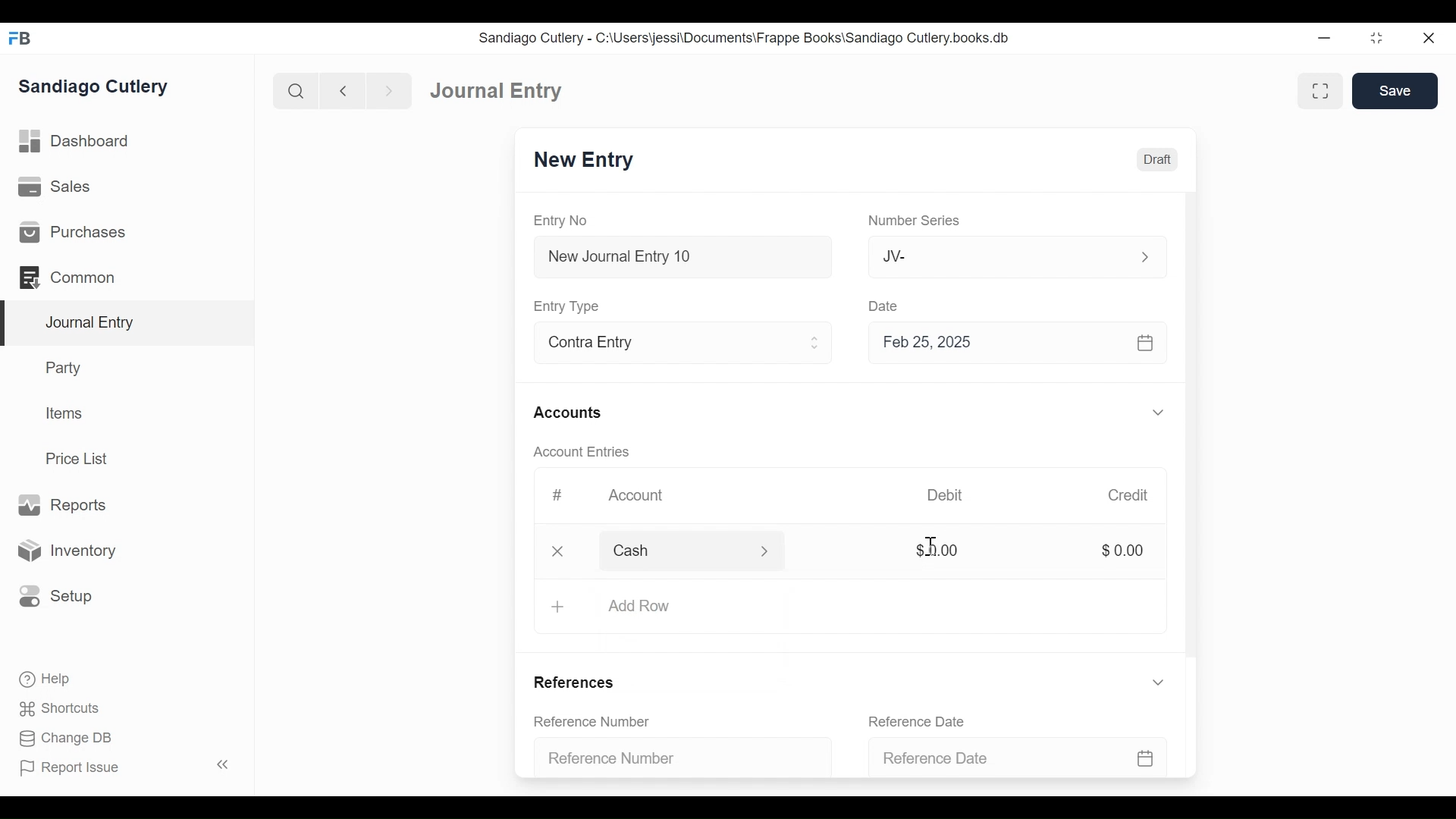  What do you see at coordinates (588, 162) in the screenshot?
I see `New Entry` at bounding box center [588, 162].